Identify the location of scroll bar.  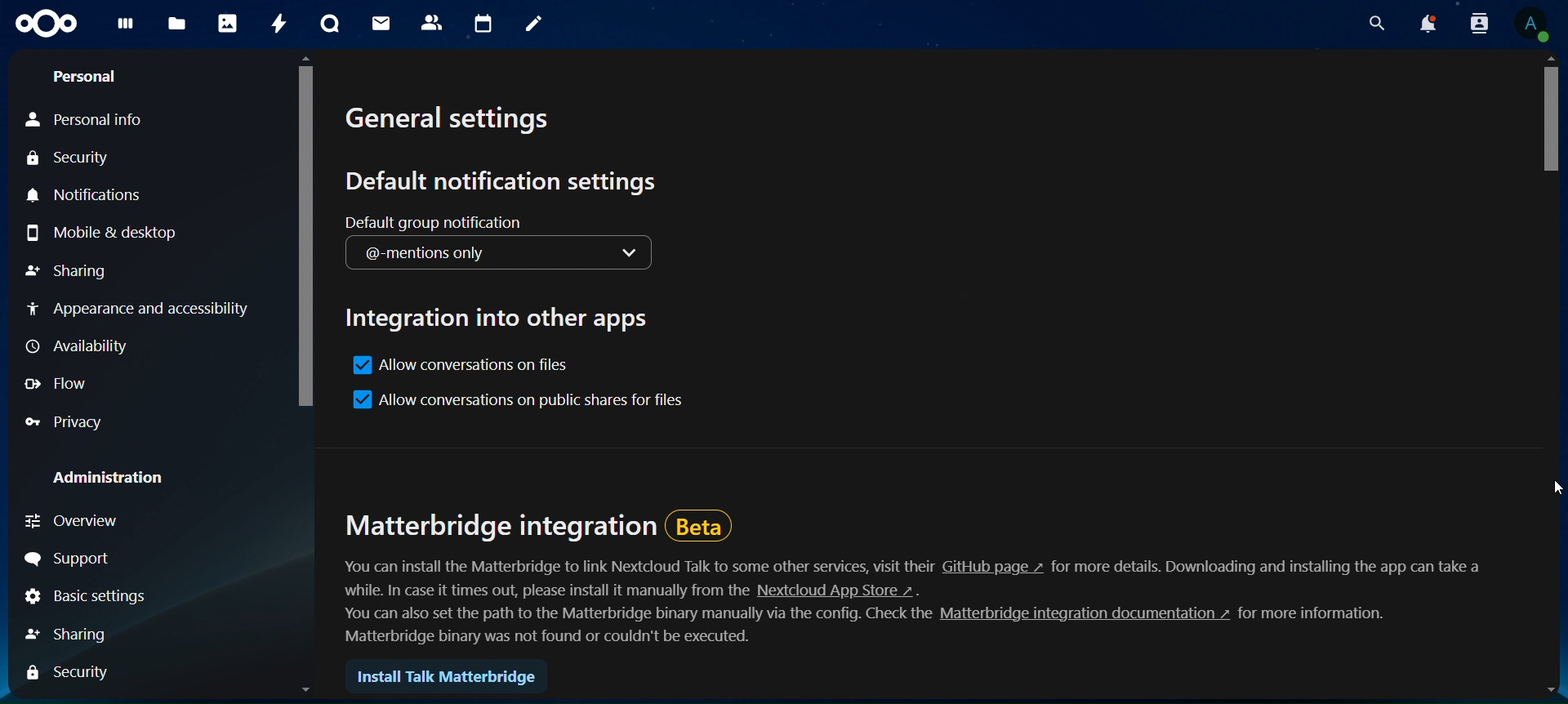
(307, 381).